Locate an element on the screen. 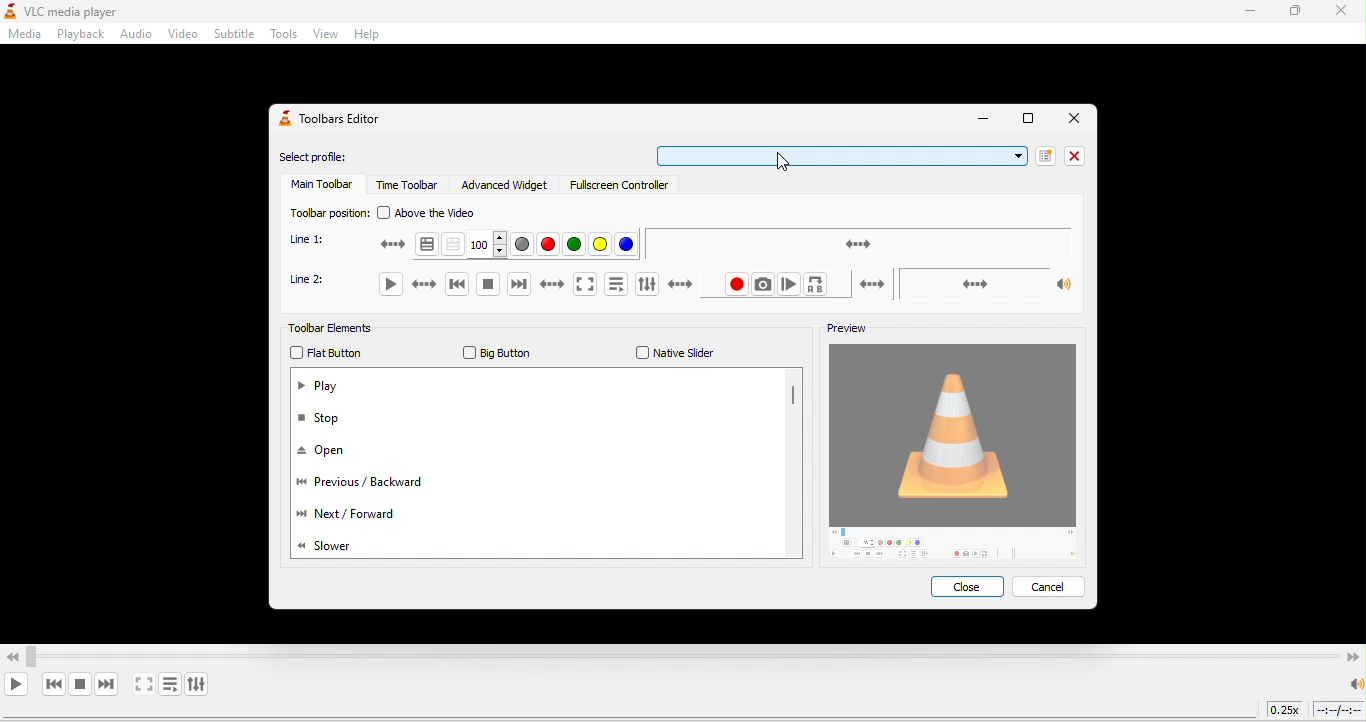  play is located at coordinates (321, 388).